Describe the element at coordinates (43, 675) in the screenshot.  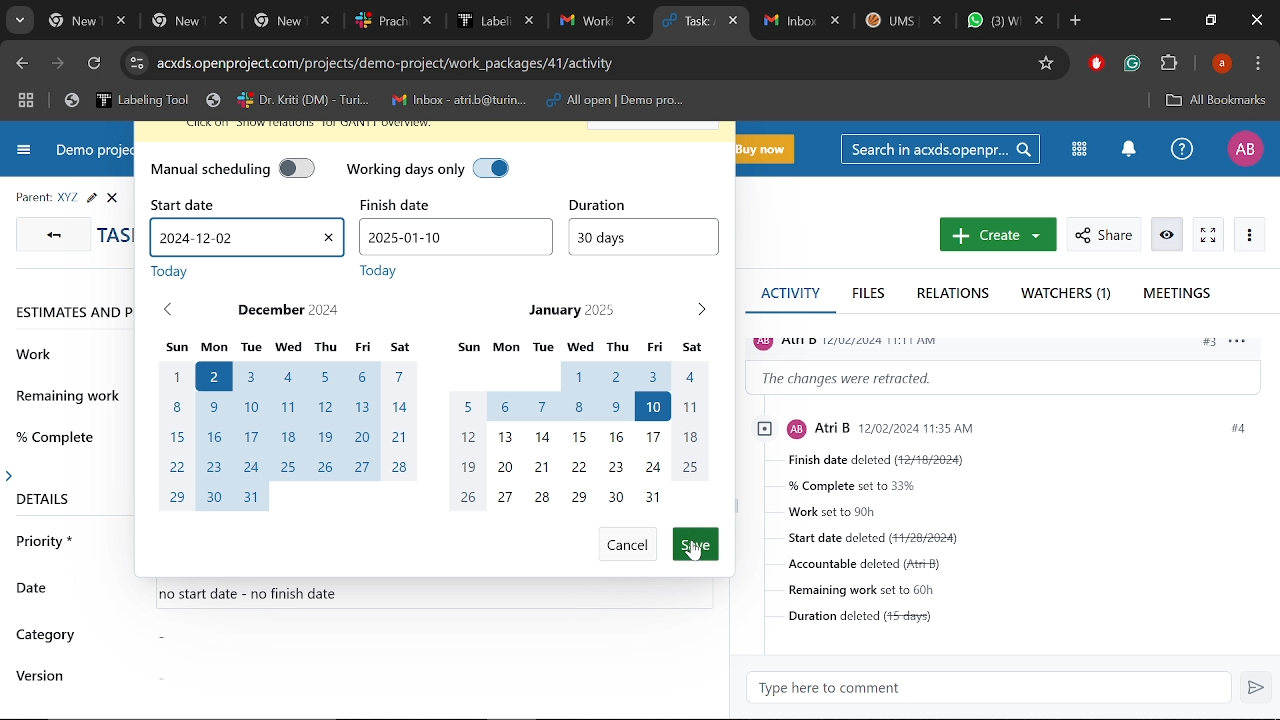
I see `version` at that location.